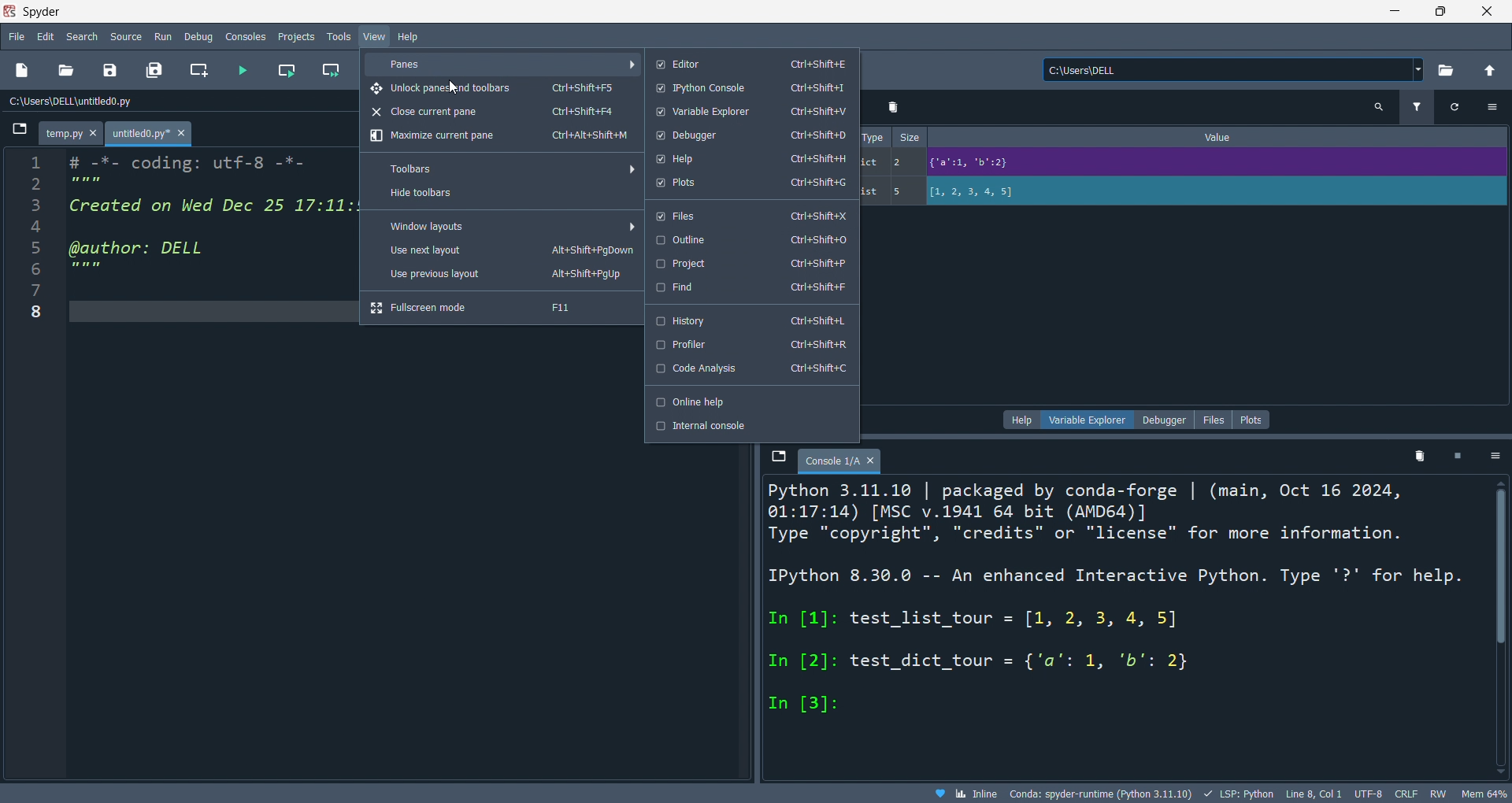 The height and width of the screenshot is (803, 1512). What do you see at coordinates (197, 71) in the screenshot?
I see `new cell` at bounding box center [197, 71].